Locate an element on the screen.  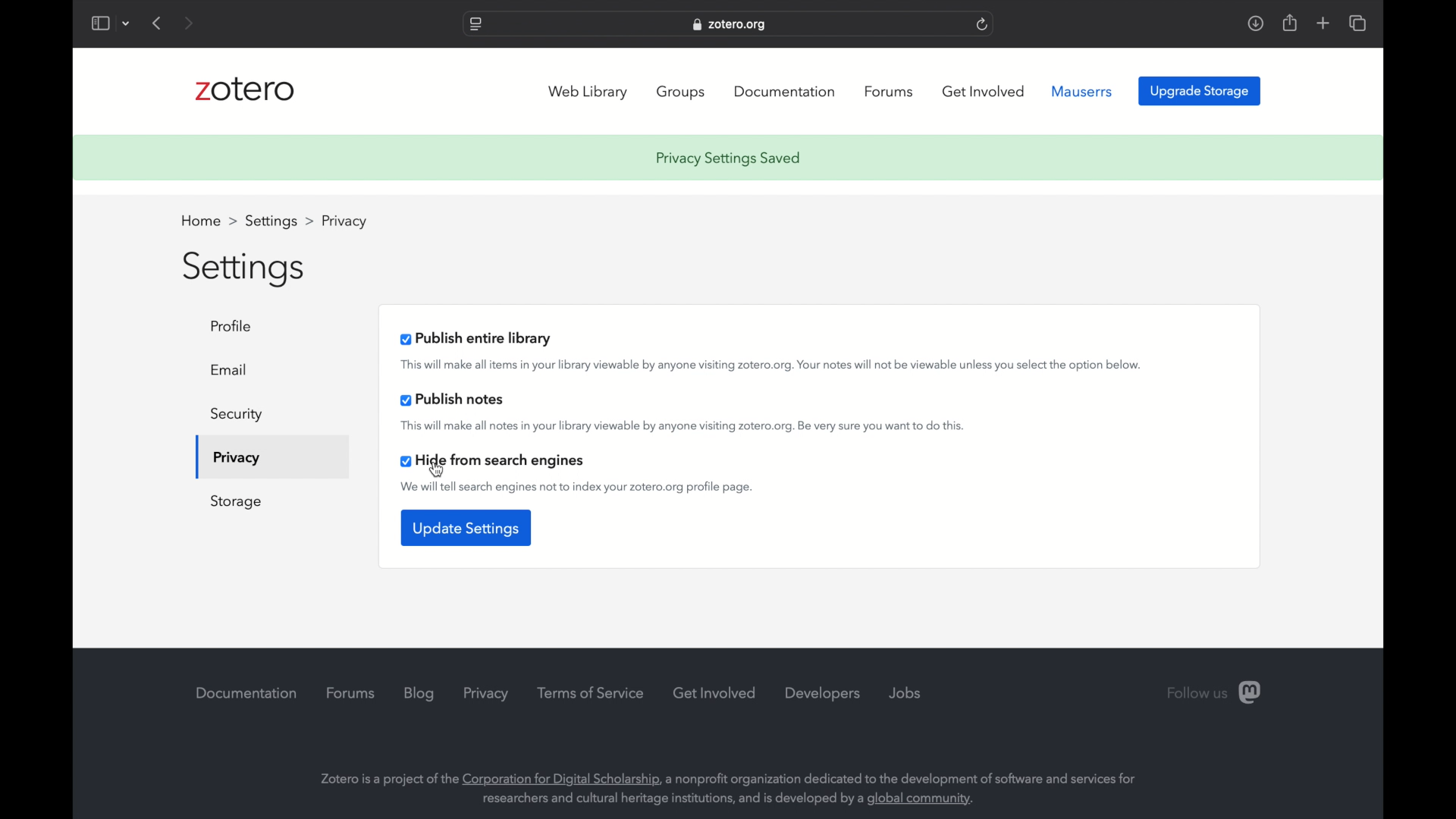
profile is located at coordinates (344, 222).